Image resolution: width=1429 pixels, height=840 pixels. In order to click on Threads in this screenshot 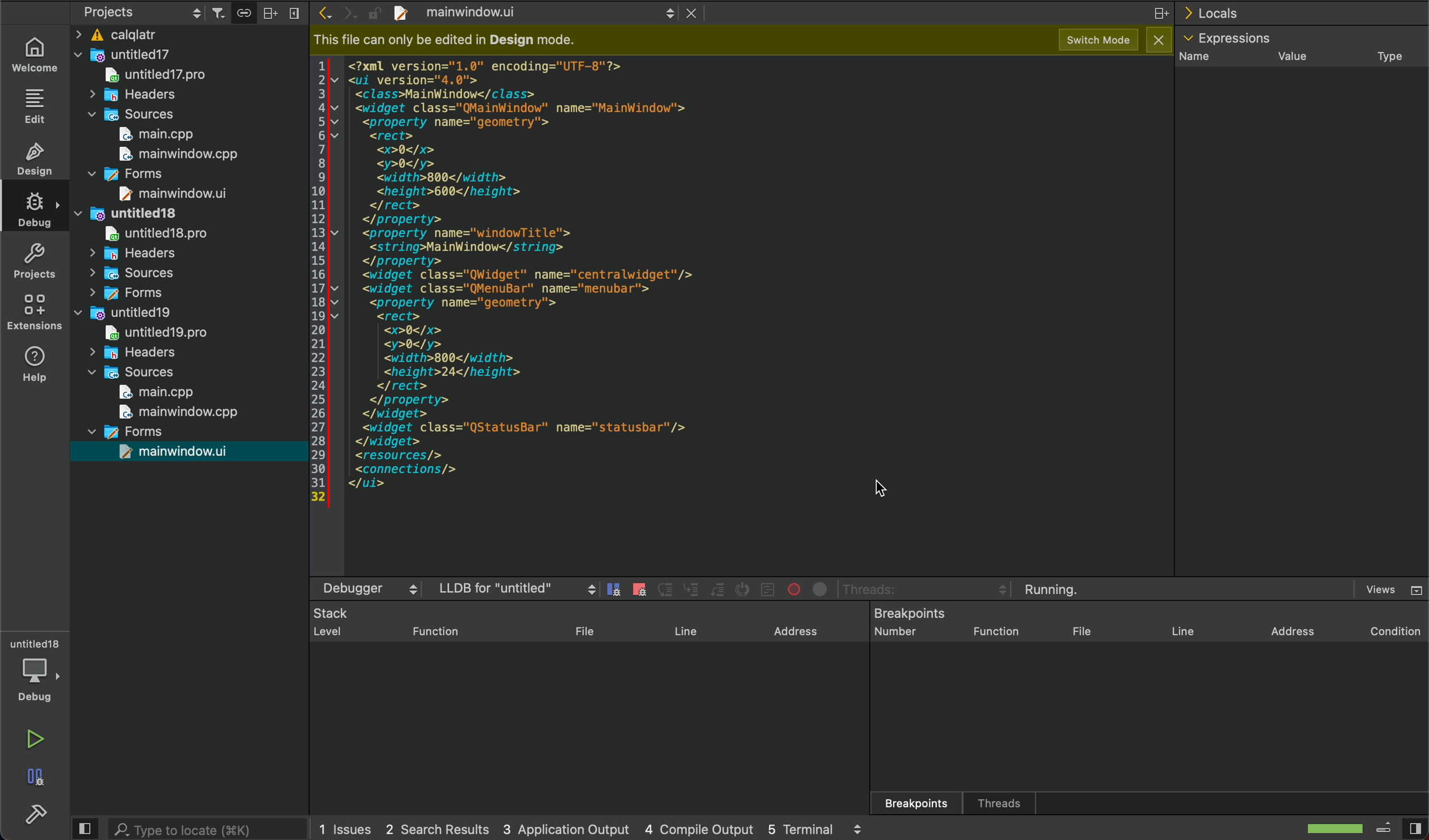, I will do `click(1003, 801)`.